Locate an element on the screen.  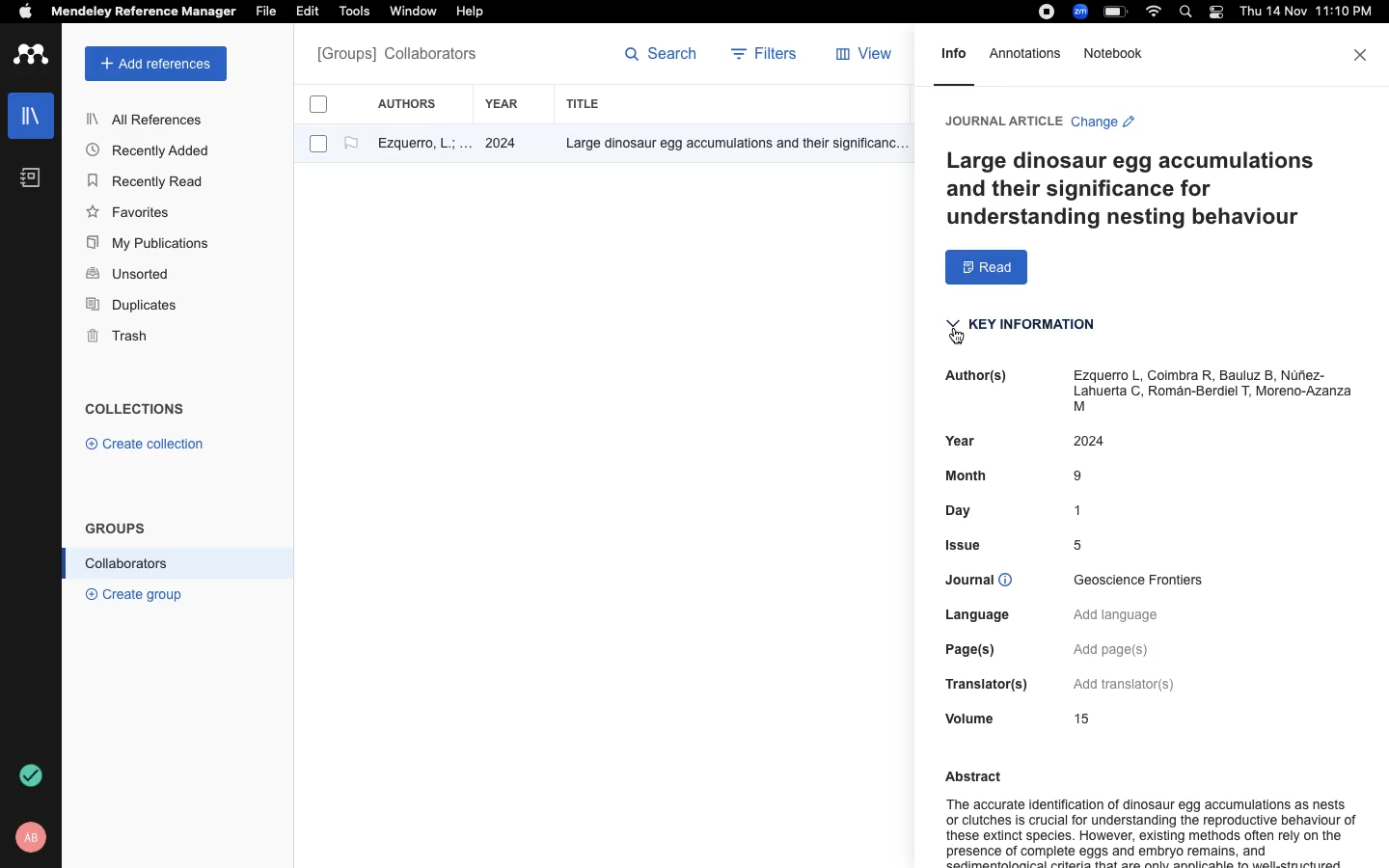
Language is located at coordinates (991, 615).